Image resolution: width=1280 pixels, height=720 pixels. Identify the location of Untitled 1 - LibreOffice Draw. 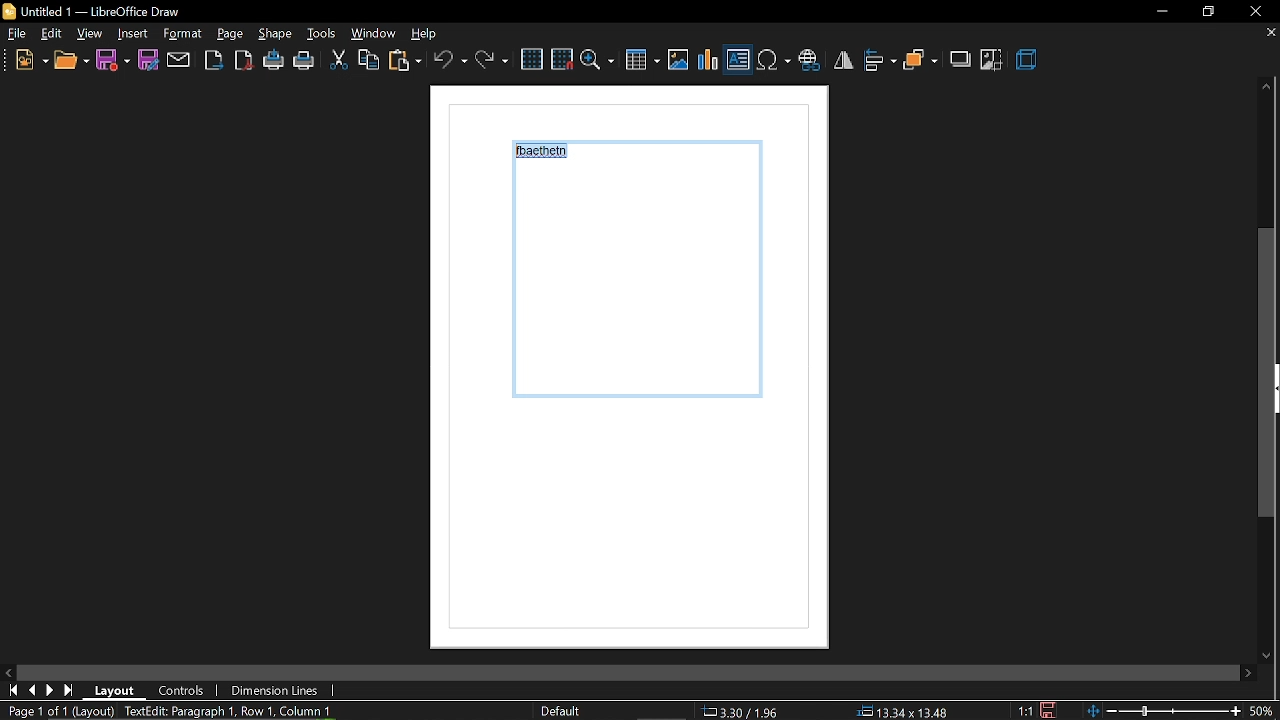
(92, 10).